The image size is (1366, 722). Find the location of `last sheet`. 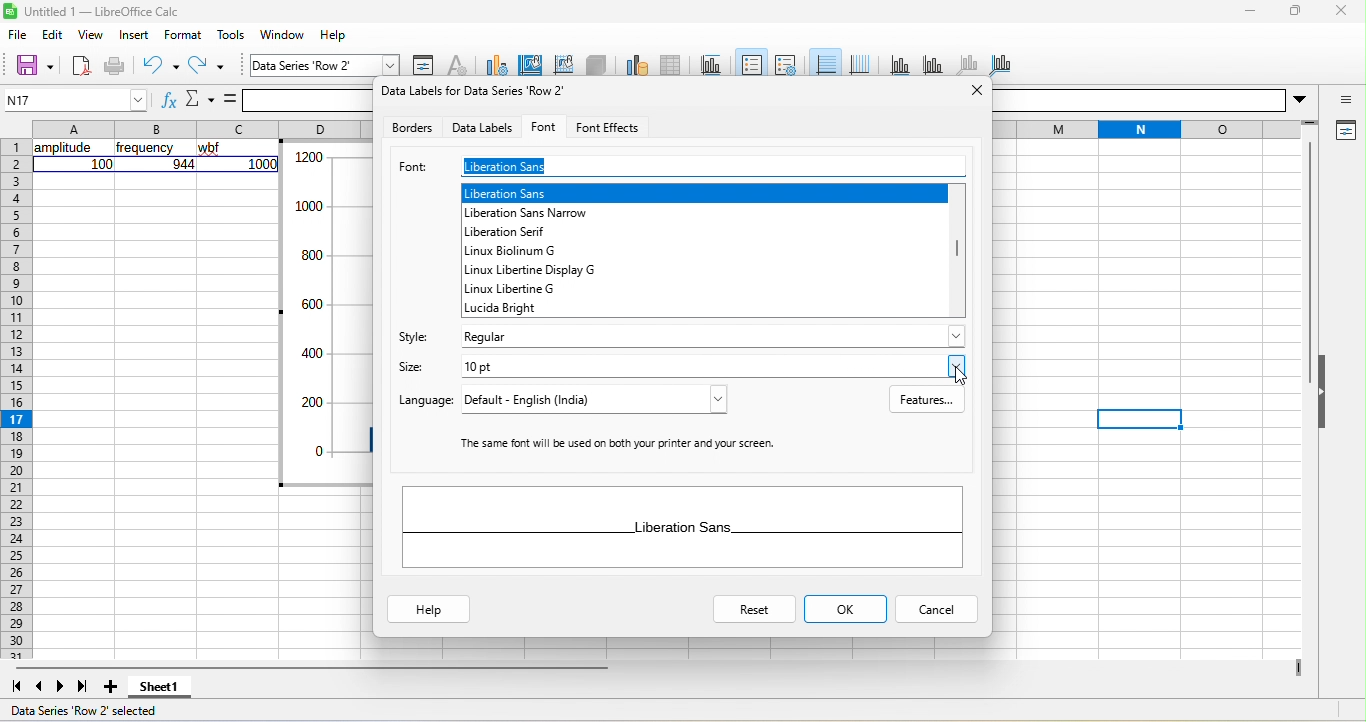

last sheet is located at coordinates (86, 688).